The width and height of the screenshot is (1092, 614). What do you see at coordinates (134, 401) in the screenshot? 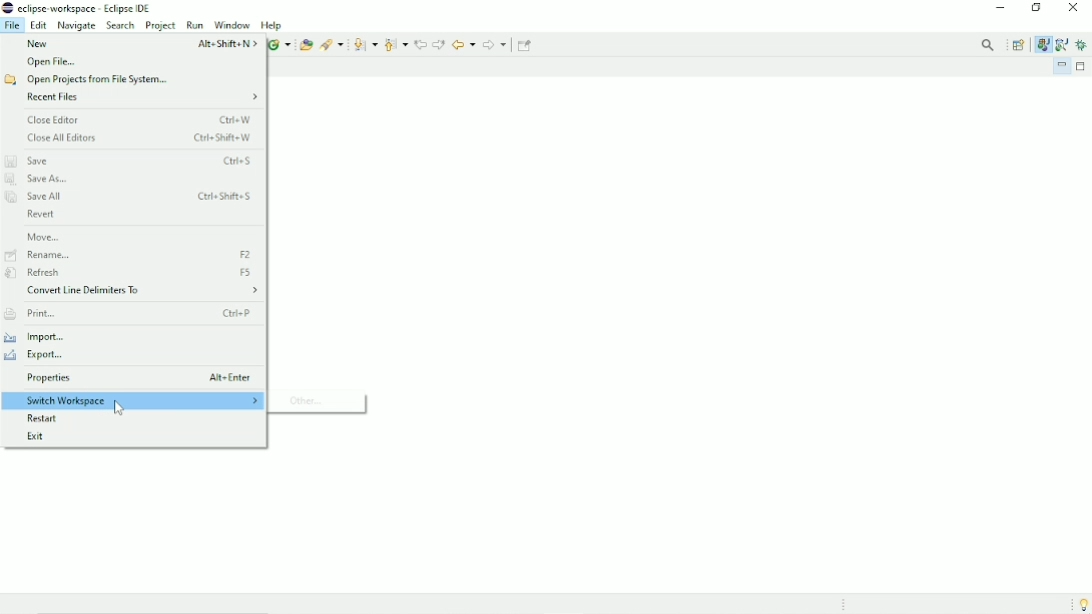
I see `Switch workspace` at bounding box center [134, 401].